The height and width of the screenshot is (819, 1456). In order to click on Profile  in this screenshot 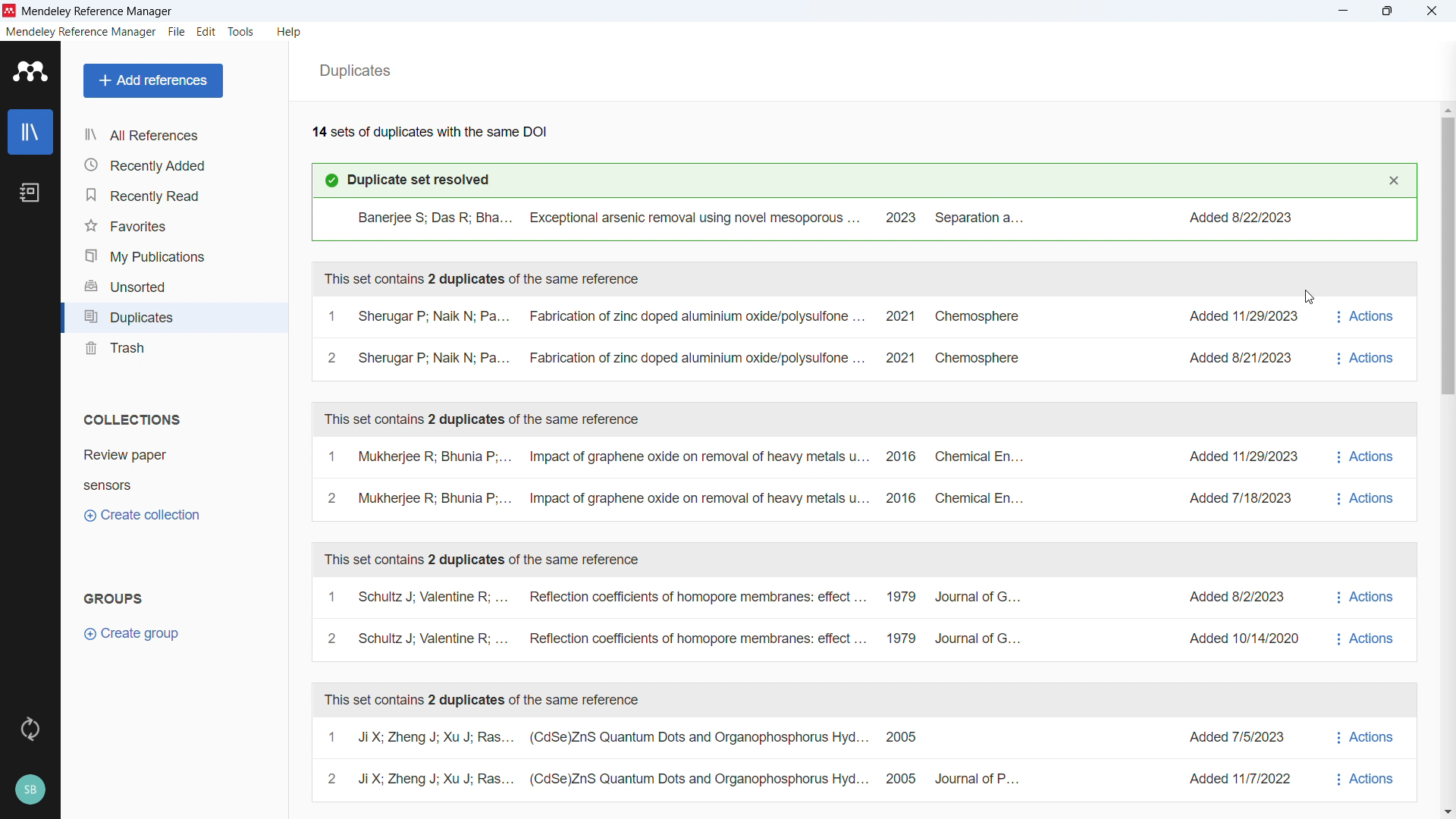, I will do `click(30, 787)`.